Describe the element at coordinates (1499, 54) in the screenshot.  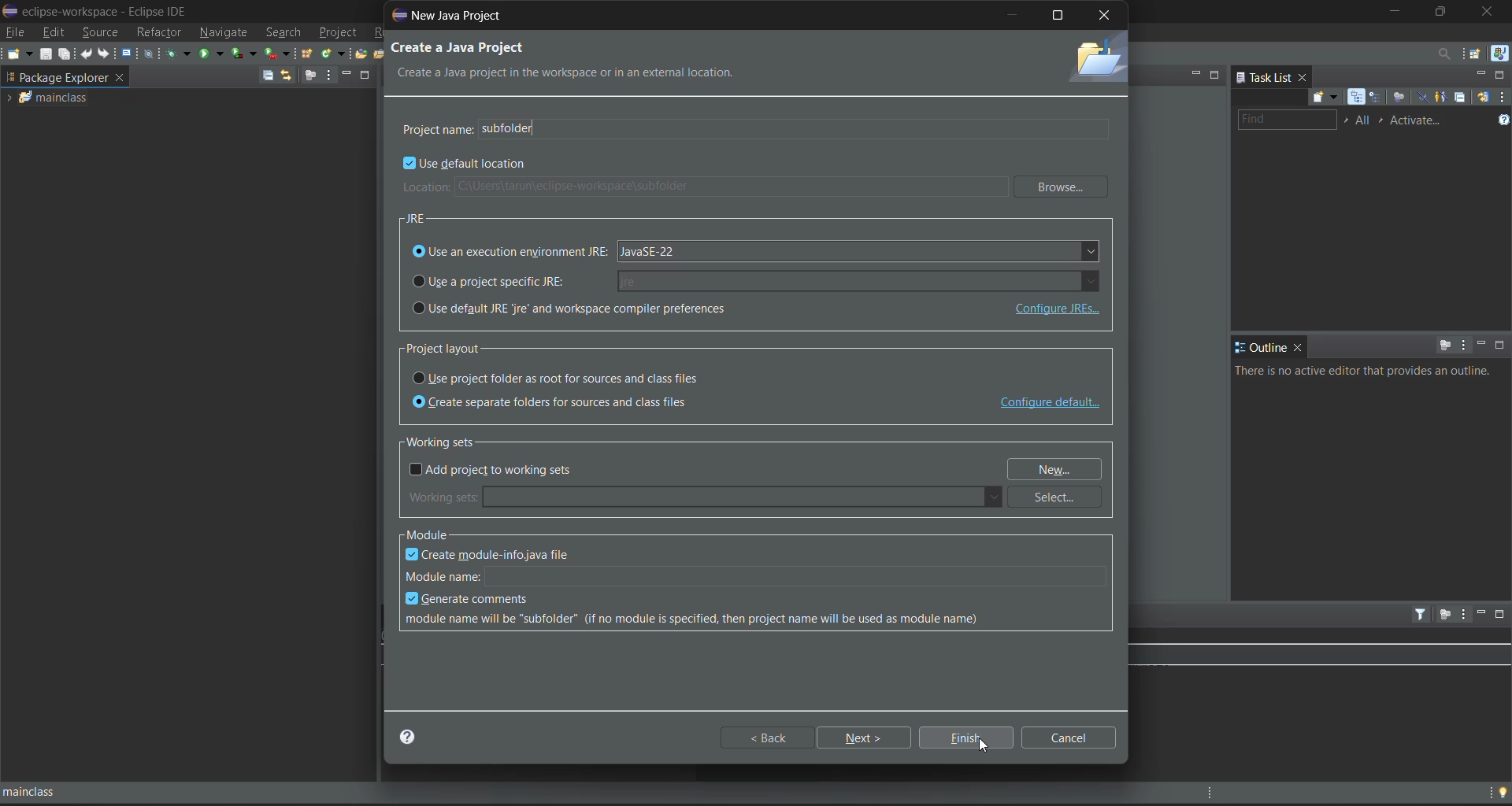
I see `java` at that location.